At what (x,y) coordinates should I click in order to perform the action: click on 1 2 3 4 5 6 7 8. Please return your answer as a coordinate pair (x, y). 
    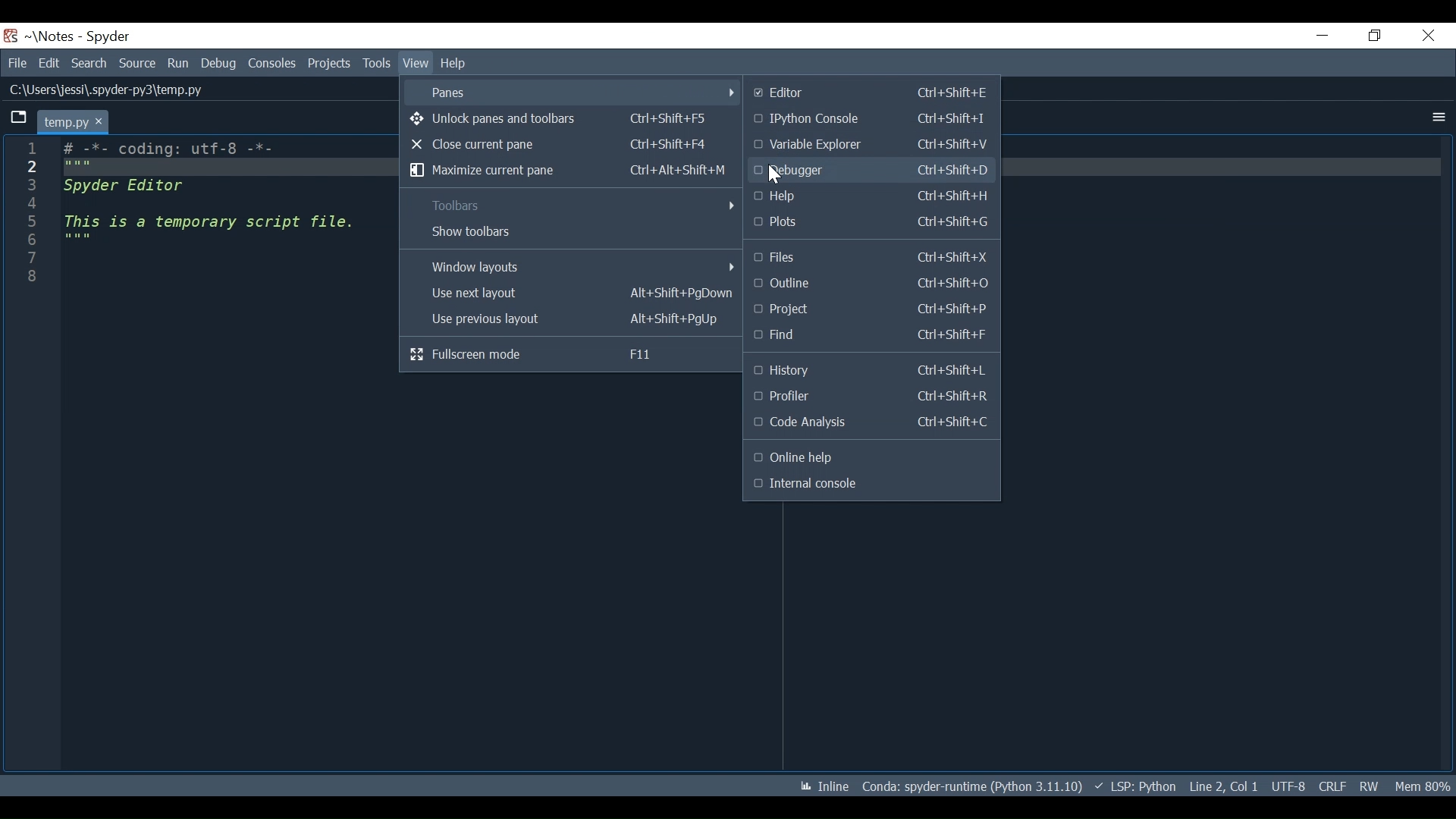
    Looking at the image, I should click on (35, 217).